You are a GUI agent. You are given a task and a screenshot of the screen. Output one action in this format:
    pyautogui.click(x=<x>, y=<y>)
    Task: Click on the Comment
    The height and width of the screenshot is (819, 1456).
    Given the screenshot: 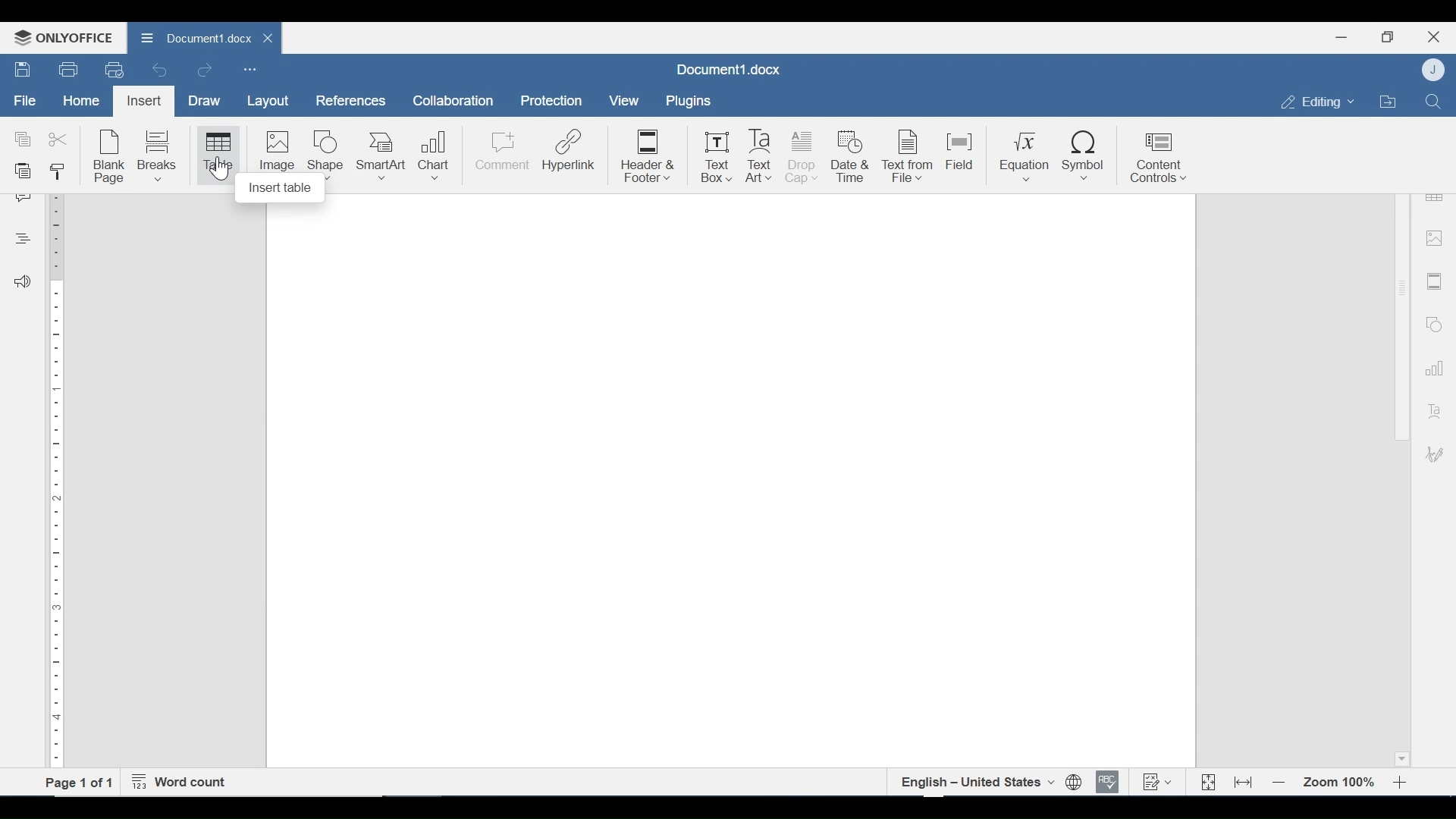 What is the action you would take?
    pyautogui.click(x=24, y=199)
    